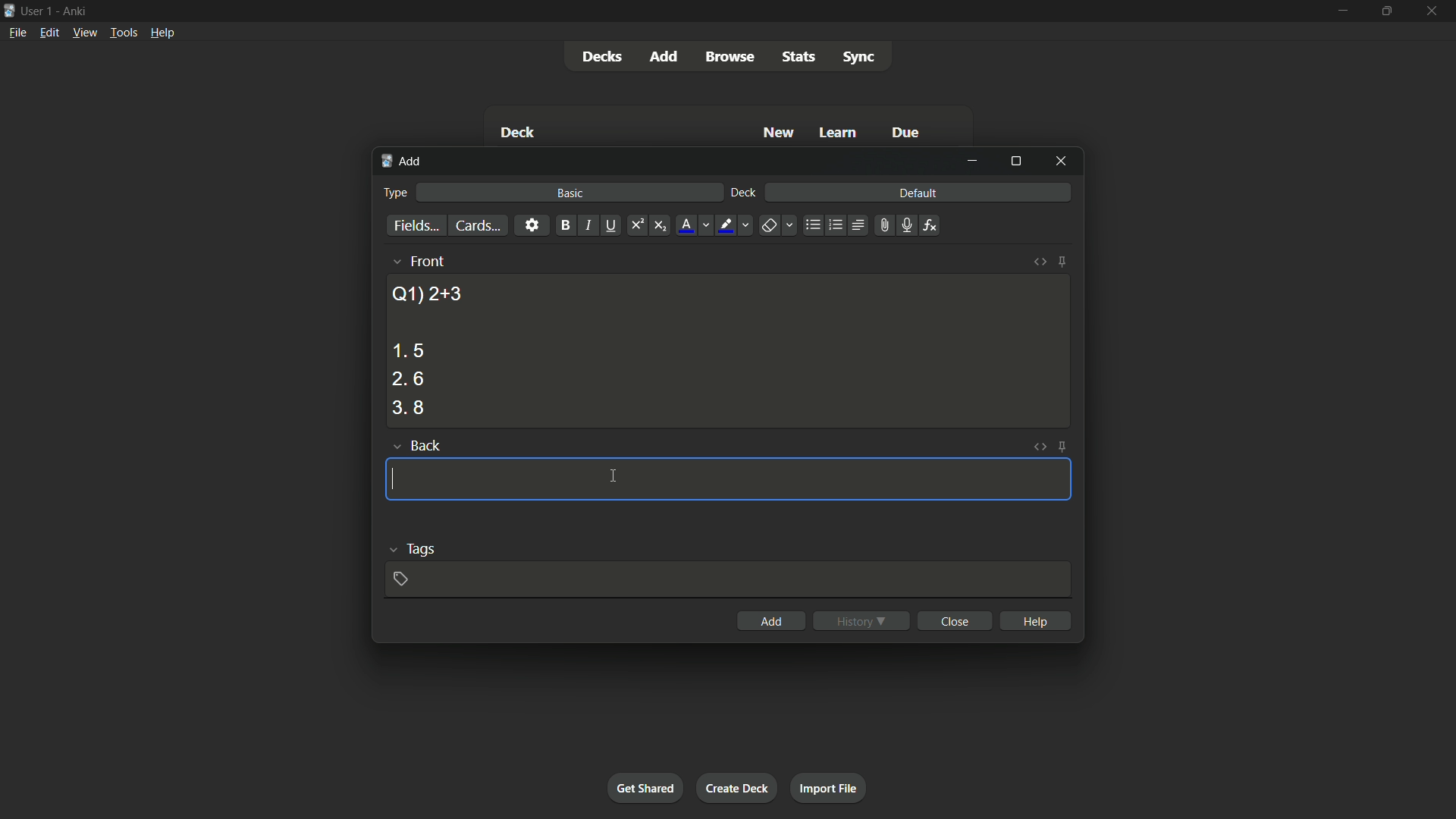 The image size is (1456, 819). What do you see at coordinates (645, 787) in the screenshot?
I see `get shared` at bounding box center [645, 787].